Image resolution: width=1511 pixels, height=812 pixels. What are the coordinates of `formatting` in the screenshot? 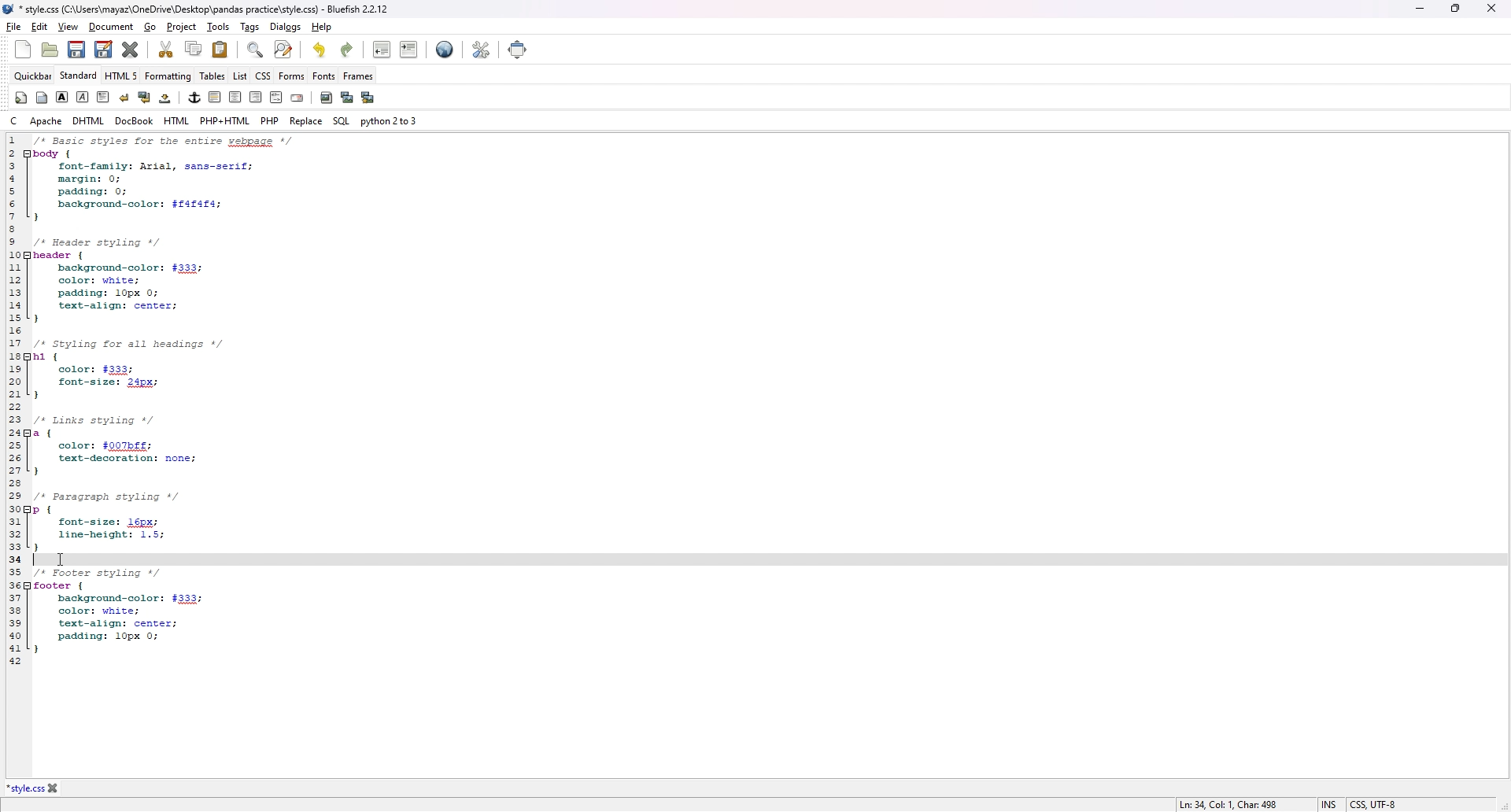 It's located at (168, 76).